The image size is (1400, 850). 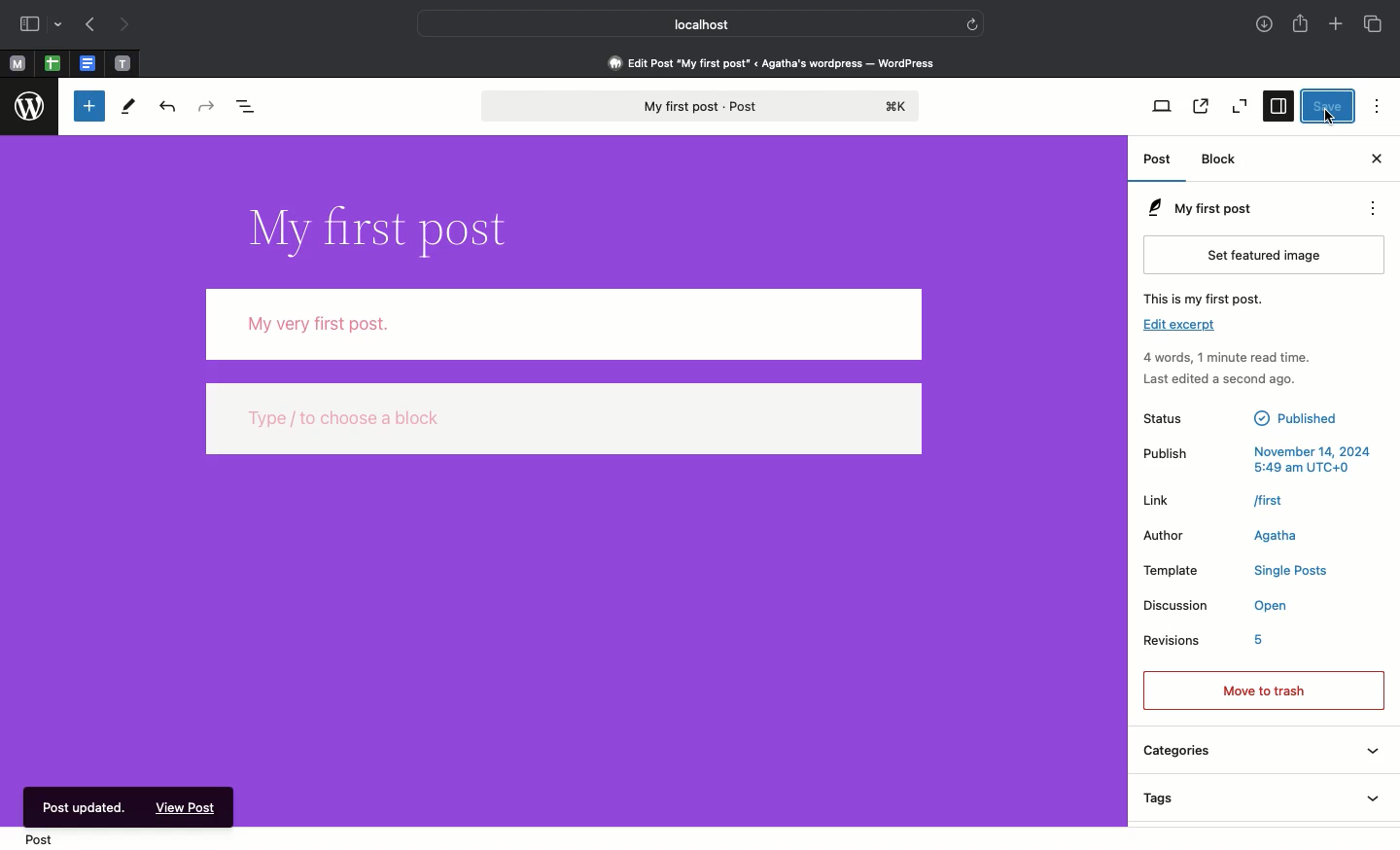 What do you see at coordinates (85, 62) in the screenshot?
I see `word document tab` at bounding box center [85, 62].